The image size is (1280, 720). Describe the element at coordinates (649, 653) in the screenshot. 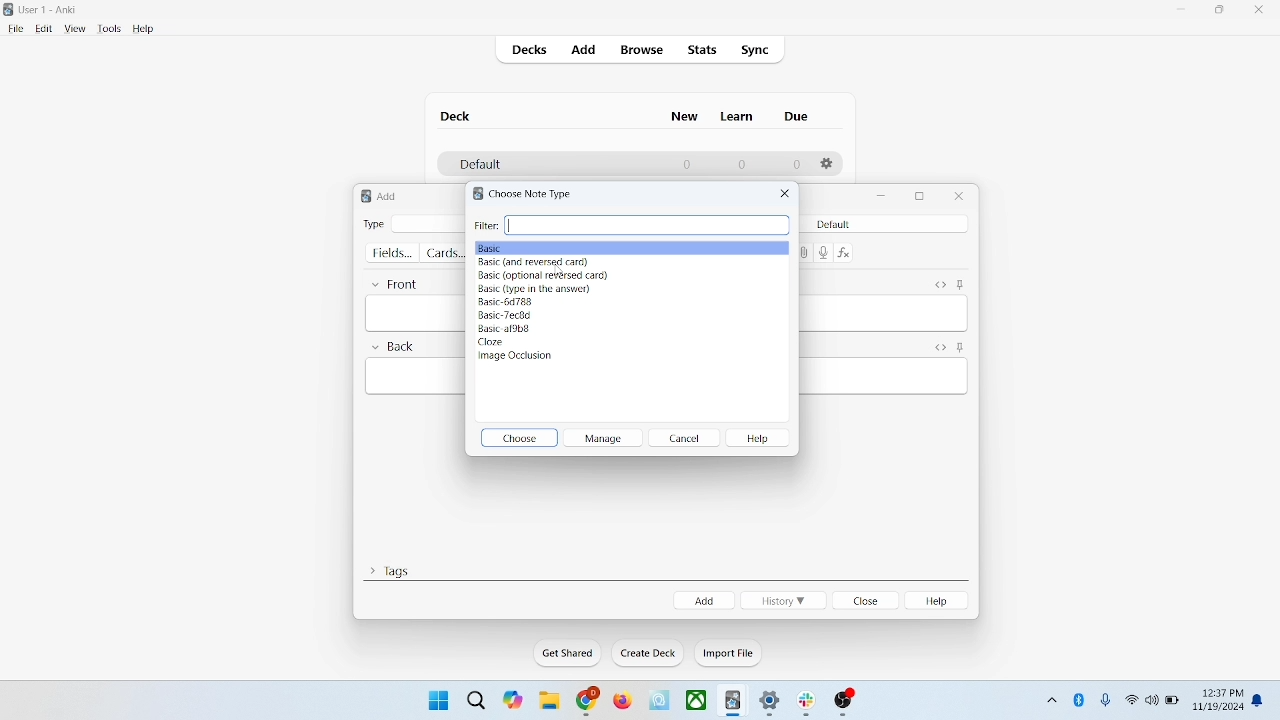

I see `create deck` at that location.